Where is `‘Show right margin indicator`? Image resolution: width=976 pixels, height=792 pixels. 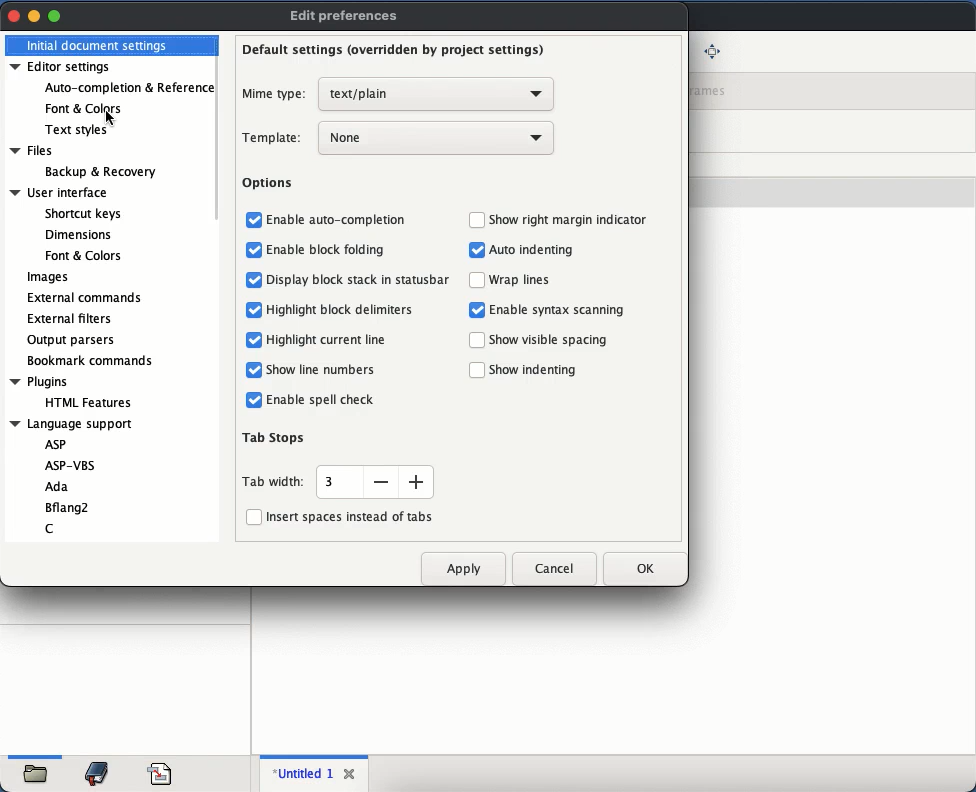
‘Show right margin indicator is located at coordinates (570, 218).